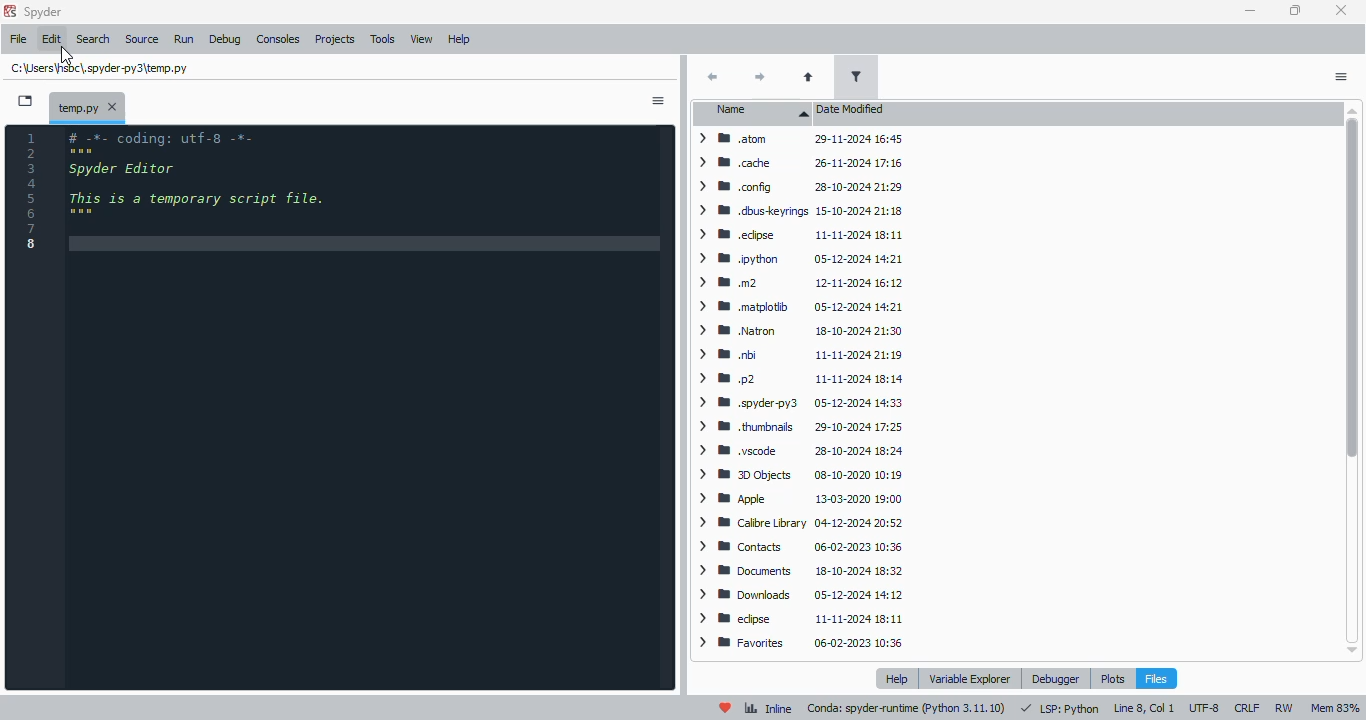 This screenshot has width=1366, height=720. Describe the element at coordinates (906, 708) in the screenshot. I see `conda: spyder-runtime (python 3. 11. 10)` at that location.